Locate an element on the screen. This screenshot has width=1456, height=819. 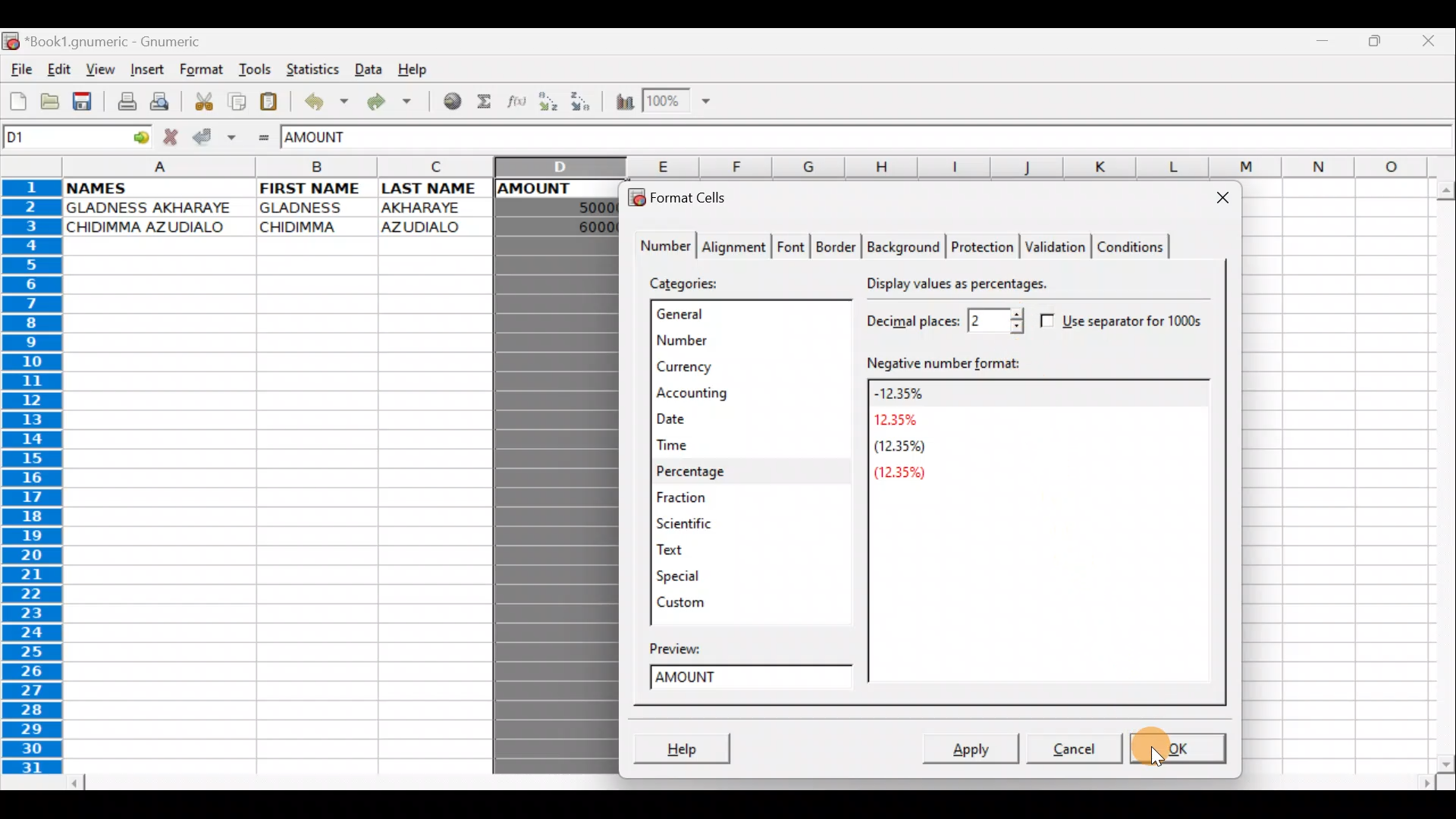
Minimize is located at coordinates (1327, 44).